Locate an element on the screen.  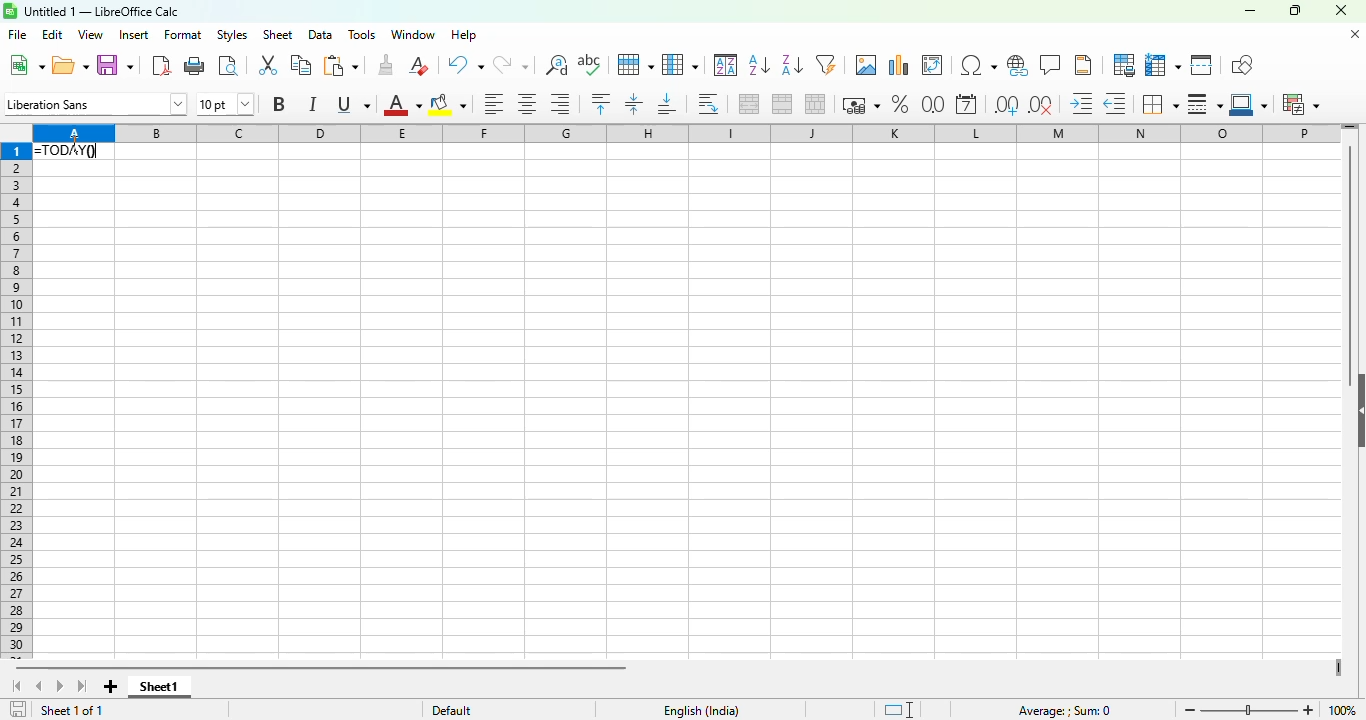
define print area is located at coordinates (1123, 64).